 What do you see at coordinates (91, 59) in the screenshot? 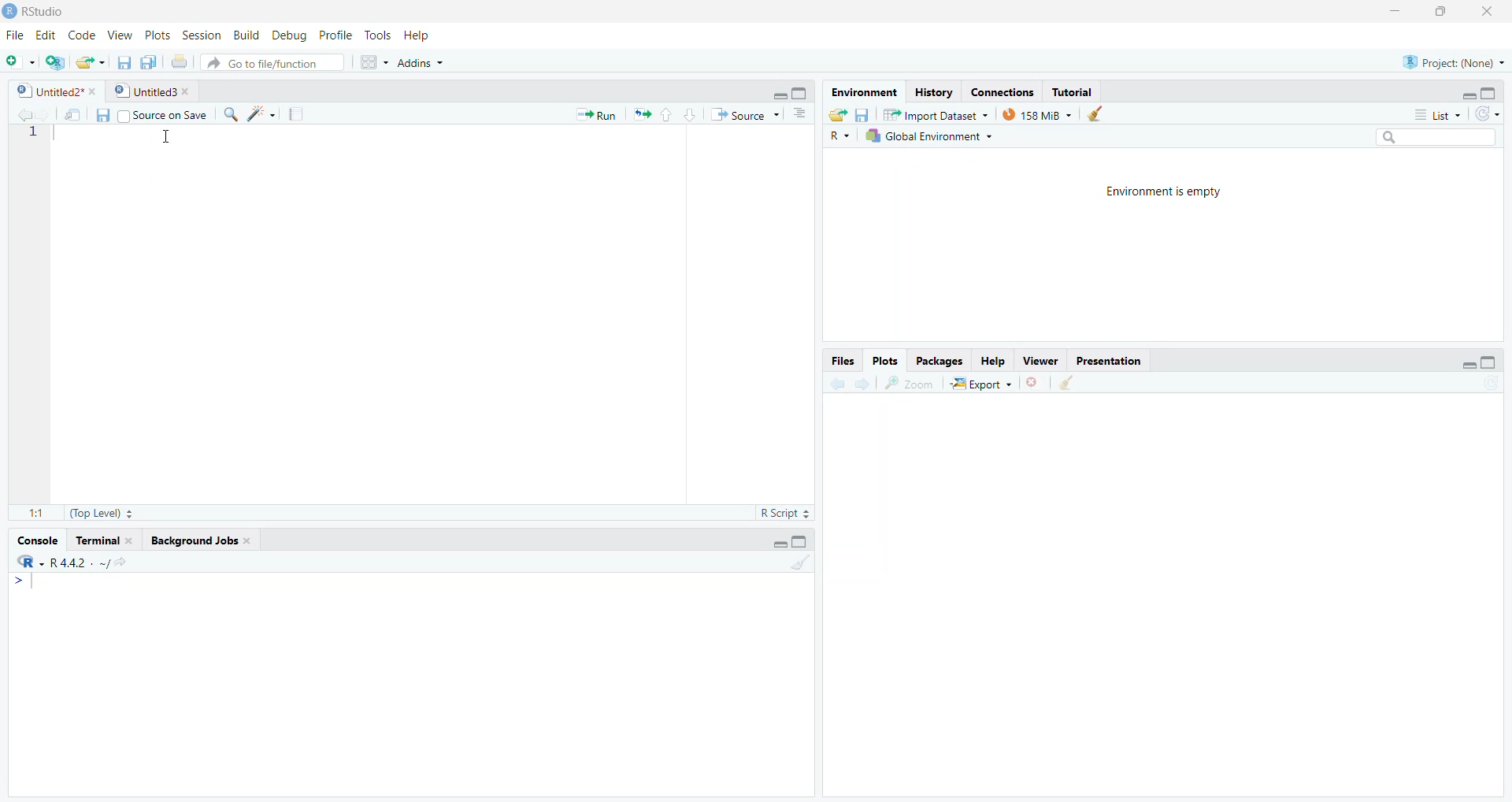
I see `Open project` at bounding box center [91, 59].